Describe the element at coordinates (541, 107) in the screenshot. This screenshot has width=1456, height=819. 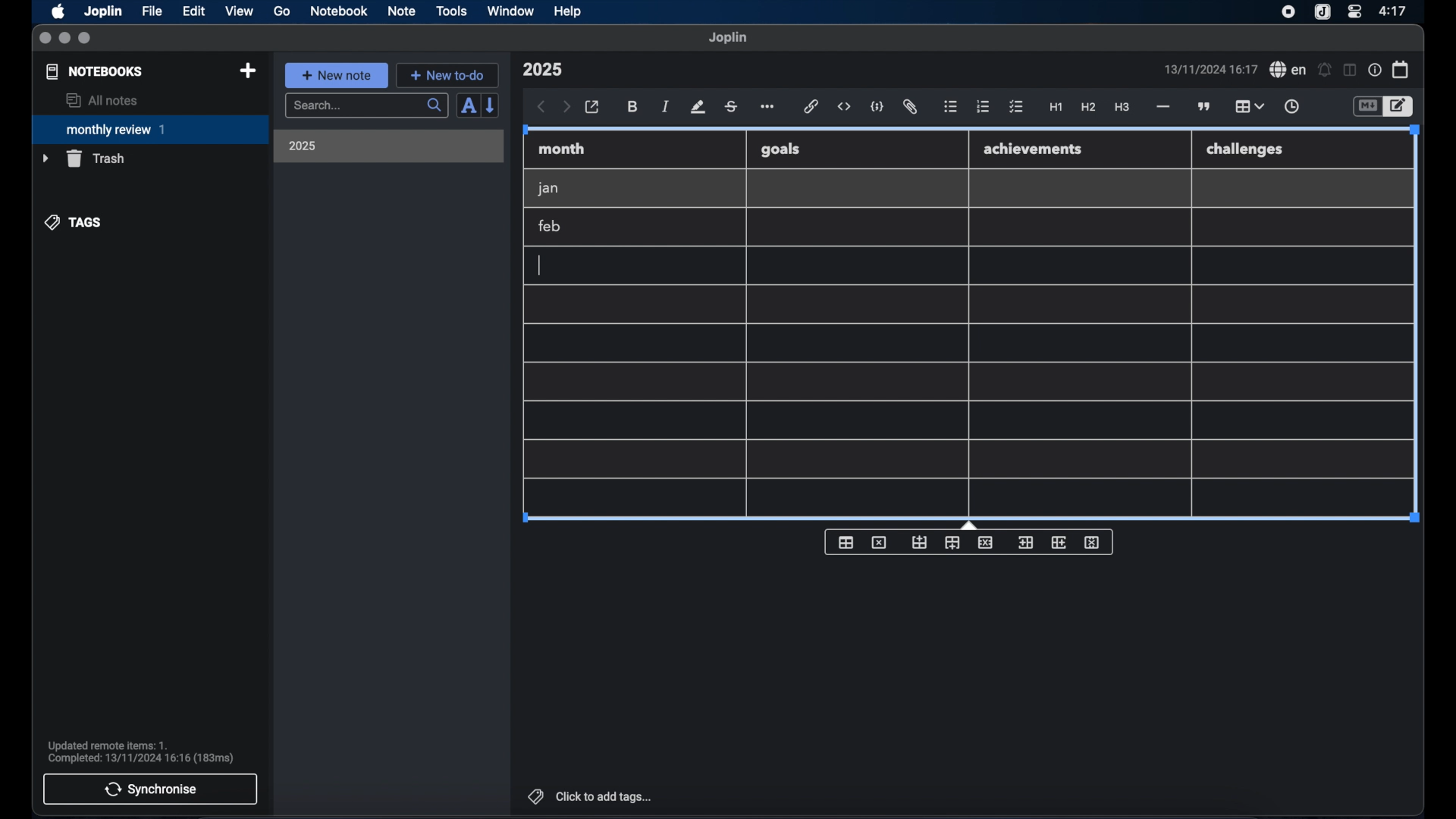
I see `back` at that location.